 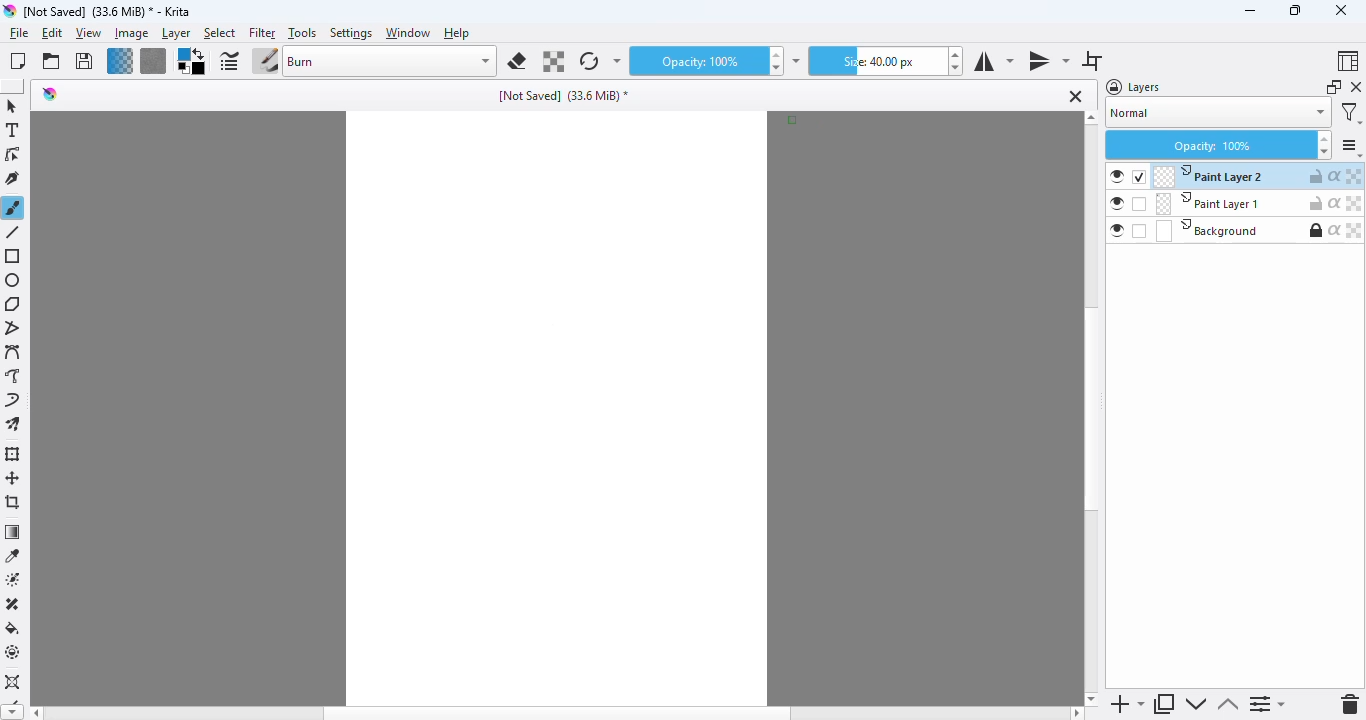 What do you see at coordinates (1335, 230) in the screenshot?
I see `inherit alpha: no` at bounding box center [1335, 230].